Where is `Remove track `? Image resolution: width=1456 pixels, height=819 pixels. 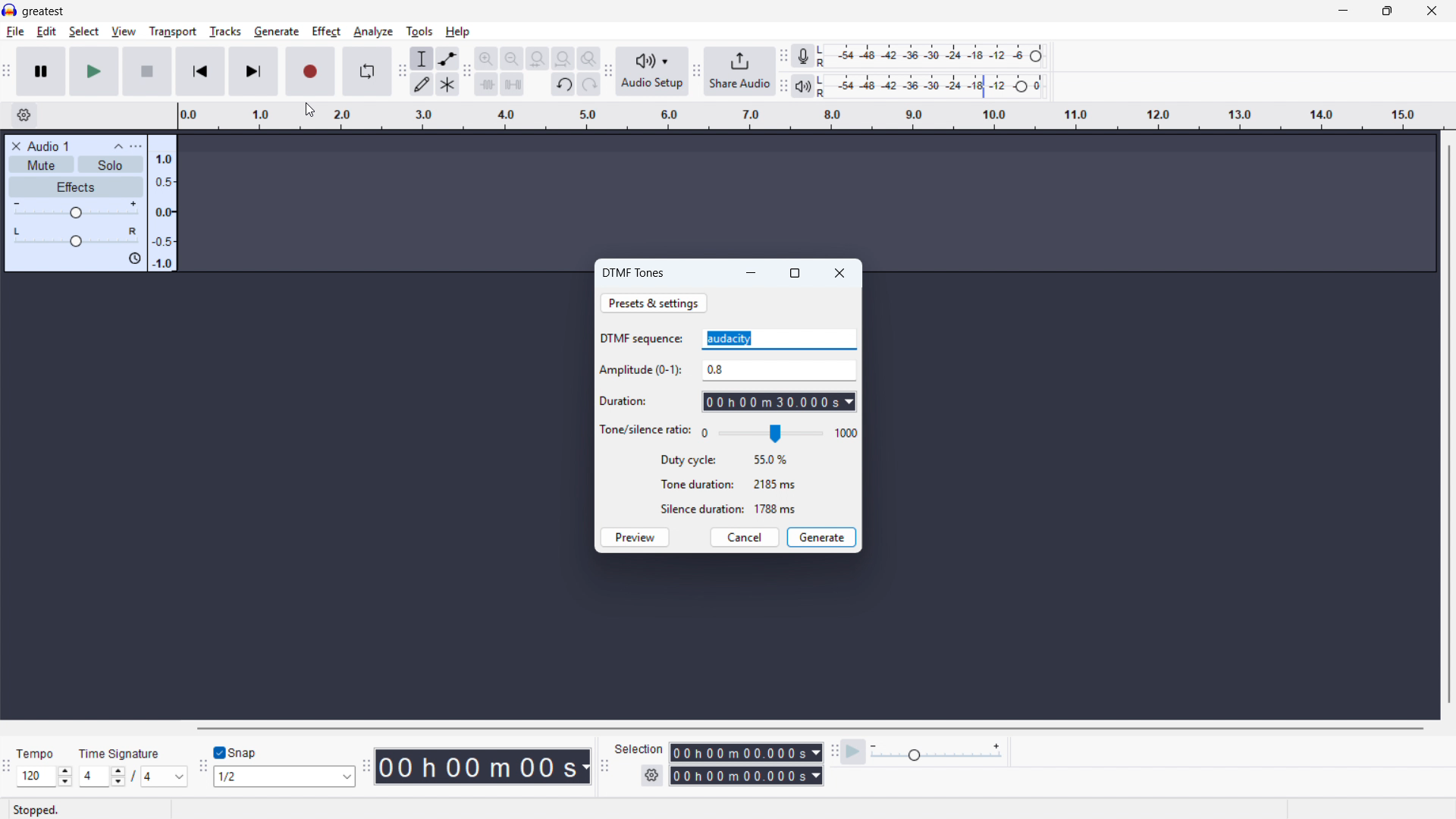
Remove track  is located at coordinates (16, 146).